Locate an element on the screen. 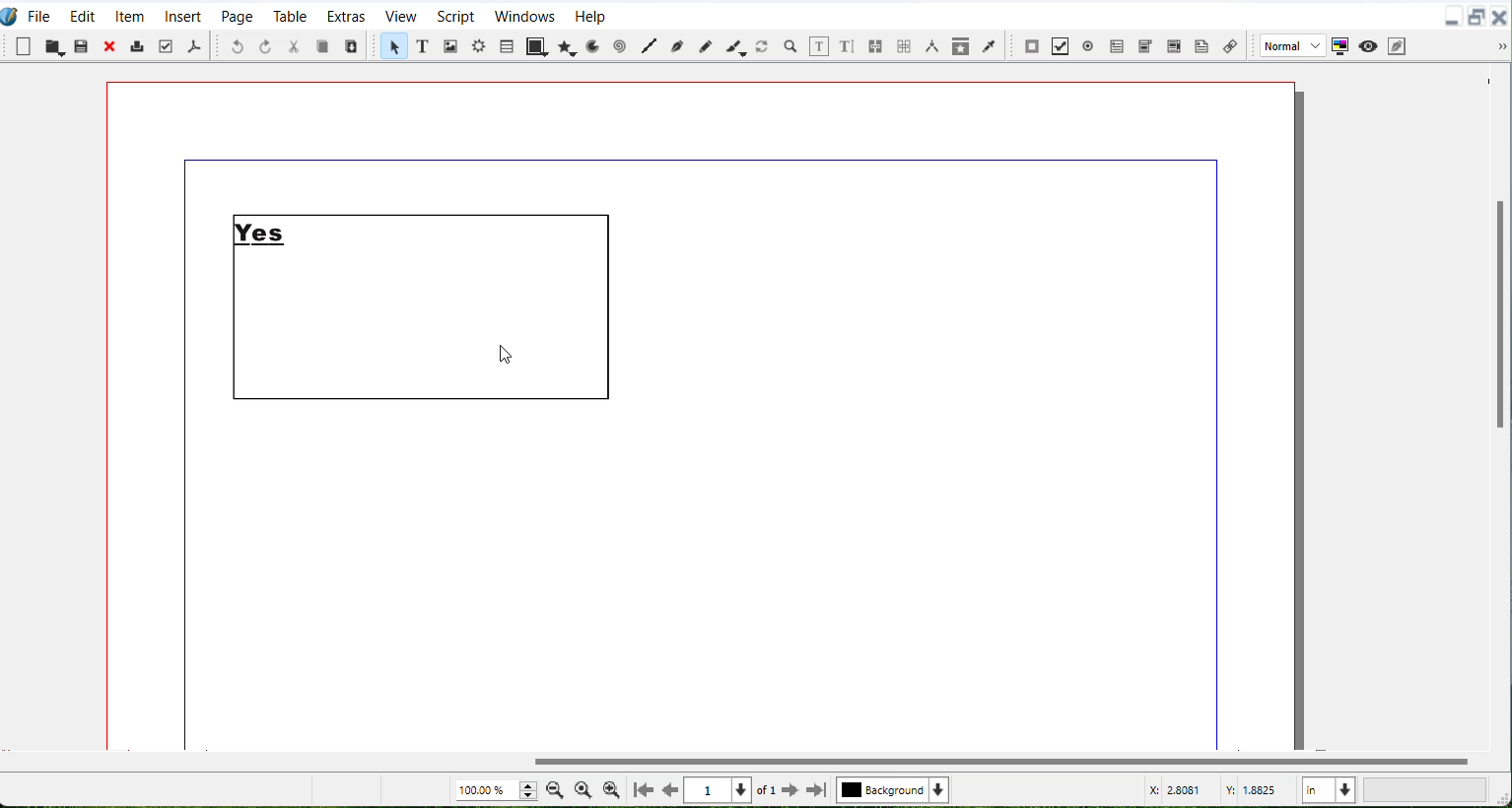 The width and height of the screenshot is (1512, 808). Close is located at coordinates (111, 46).